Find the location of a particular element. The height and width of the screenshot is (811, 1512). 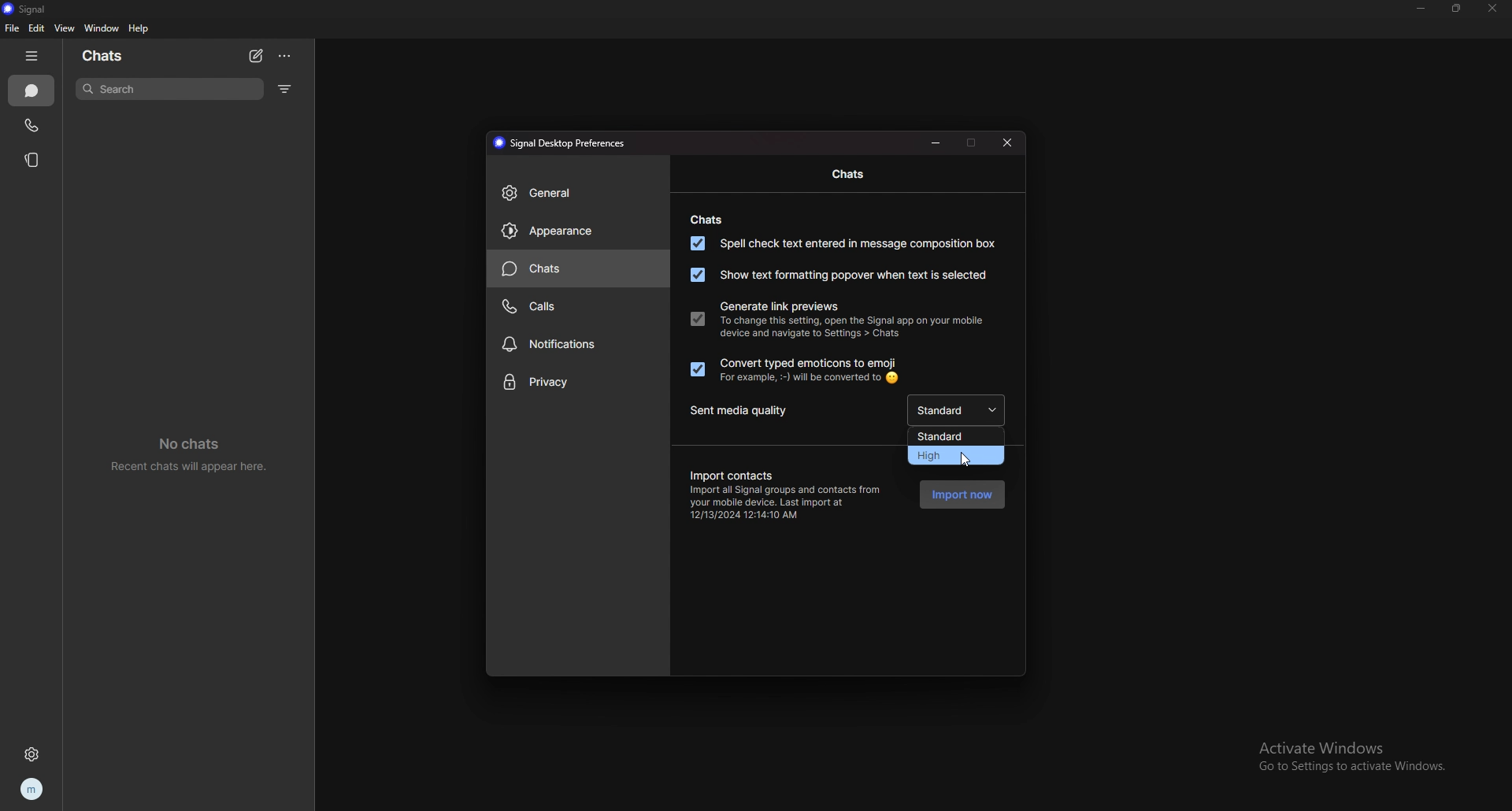

new chat is located at coordinates (256, 57).